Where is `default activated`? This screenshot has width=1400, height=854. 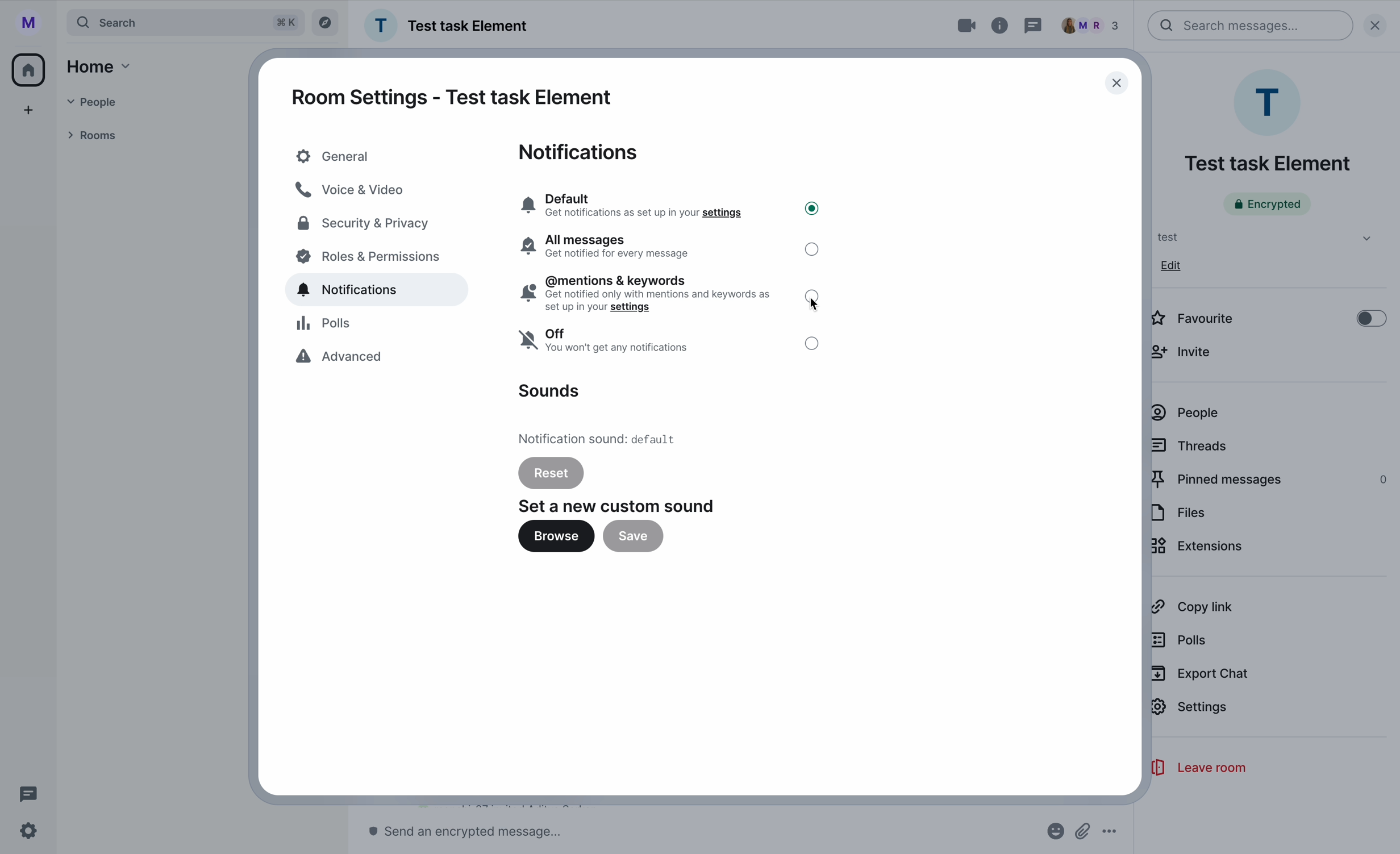 default activated is located at coordinates (669, 204).